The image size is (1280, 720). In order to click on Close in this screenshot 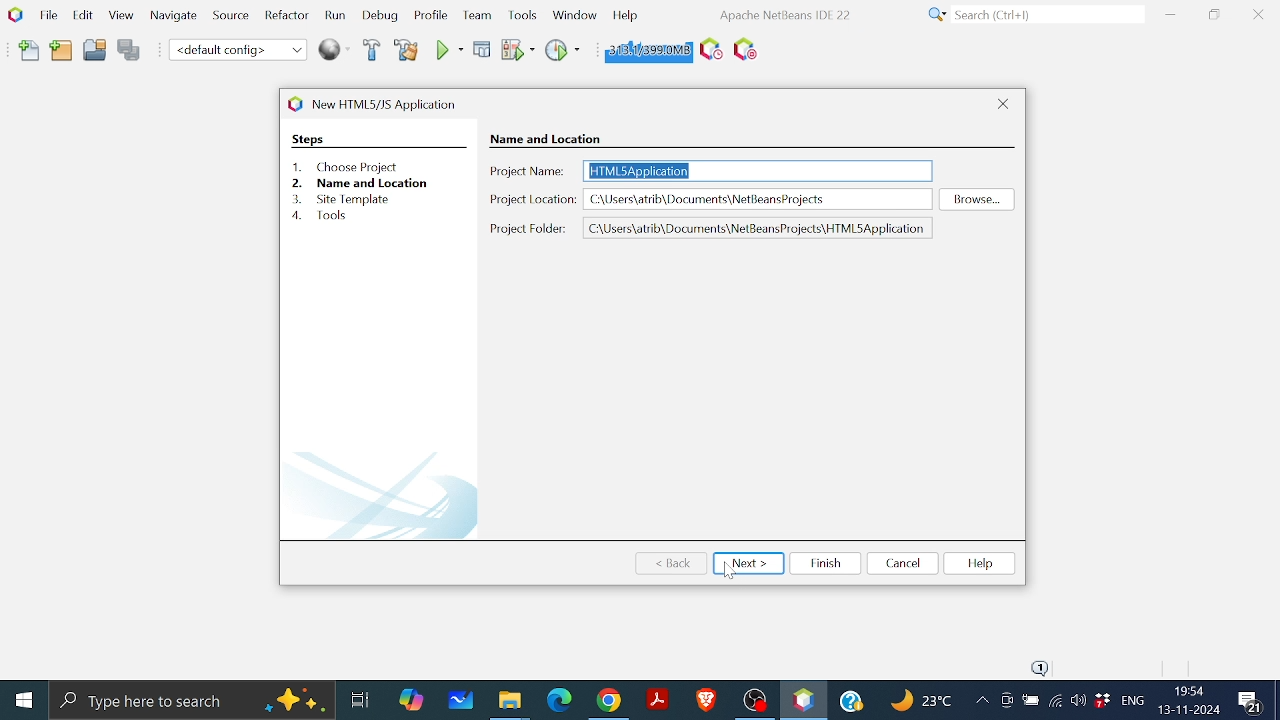, I will do `click(1005, 103)`.